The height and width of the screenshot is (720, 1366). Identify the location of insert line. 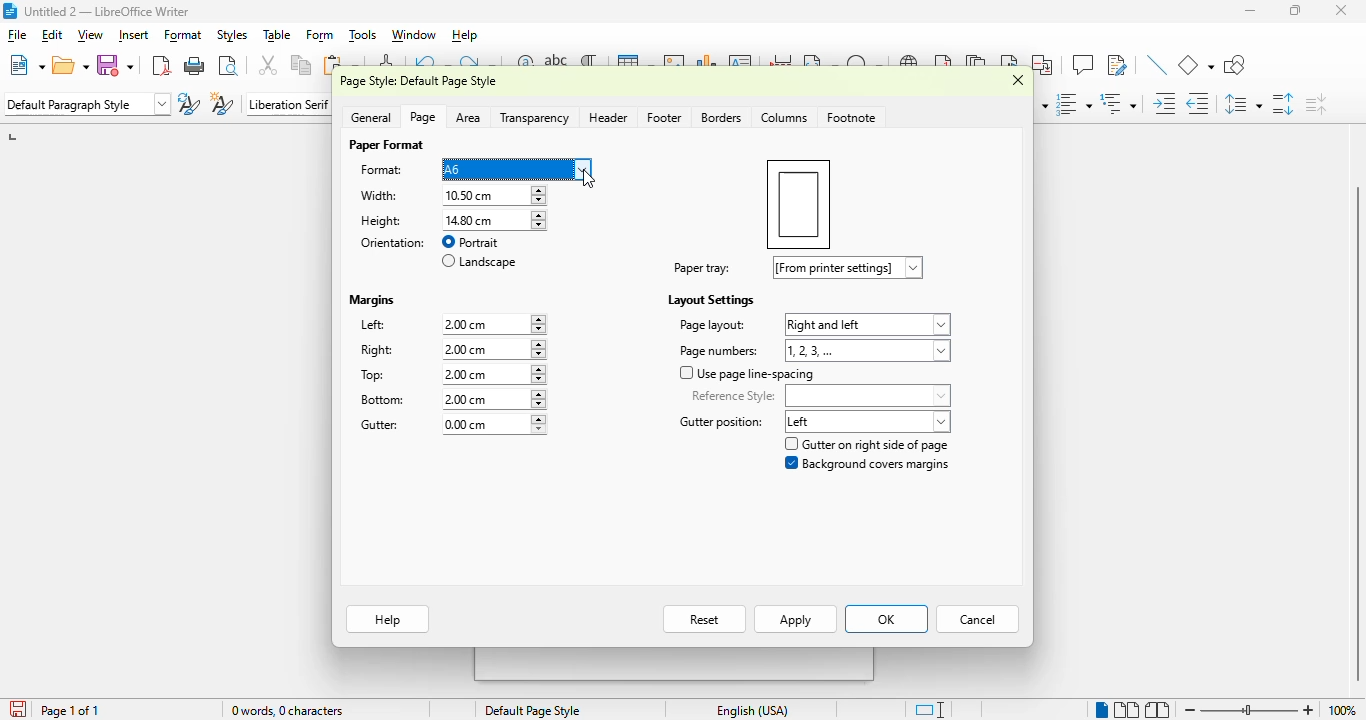
(1156, 64).